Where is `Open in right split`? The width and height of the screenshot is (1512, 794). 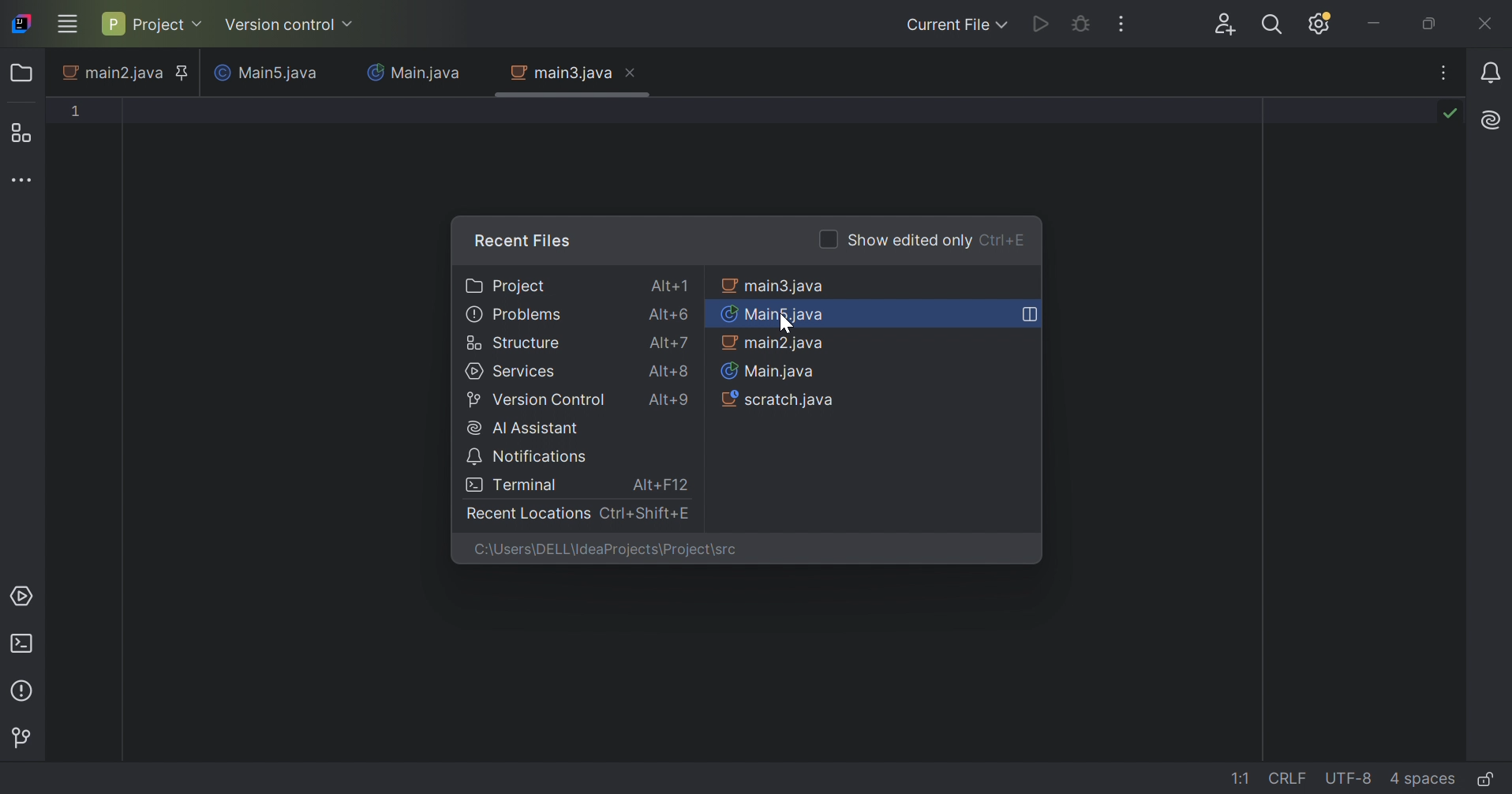 Open in right split is located at coordinates (1032, 315).